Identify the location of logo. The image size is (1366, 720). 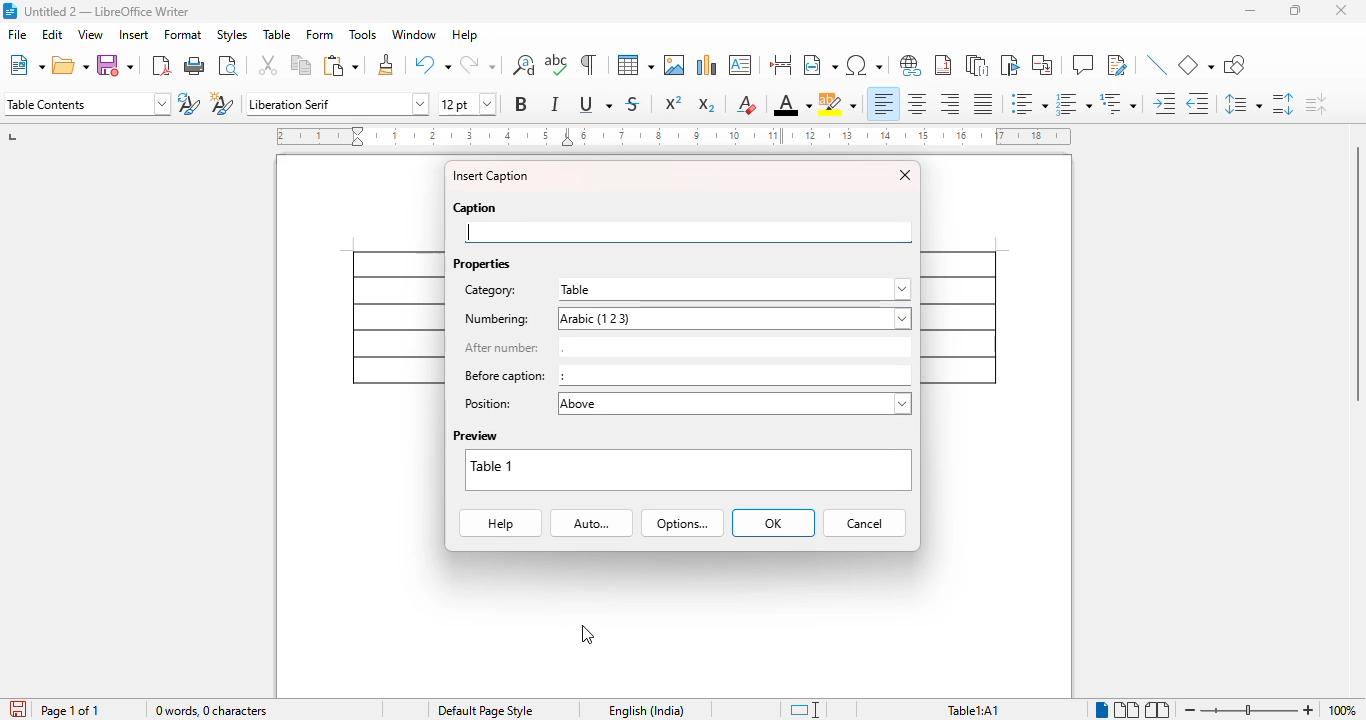
(10, 11).